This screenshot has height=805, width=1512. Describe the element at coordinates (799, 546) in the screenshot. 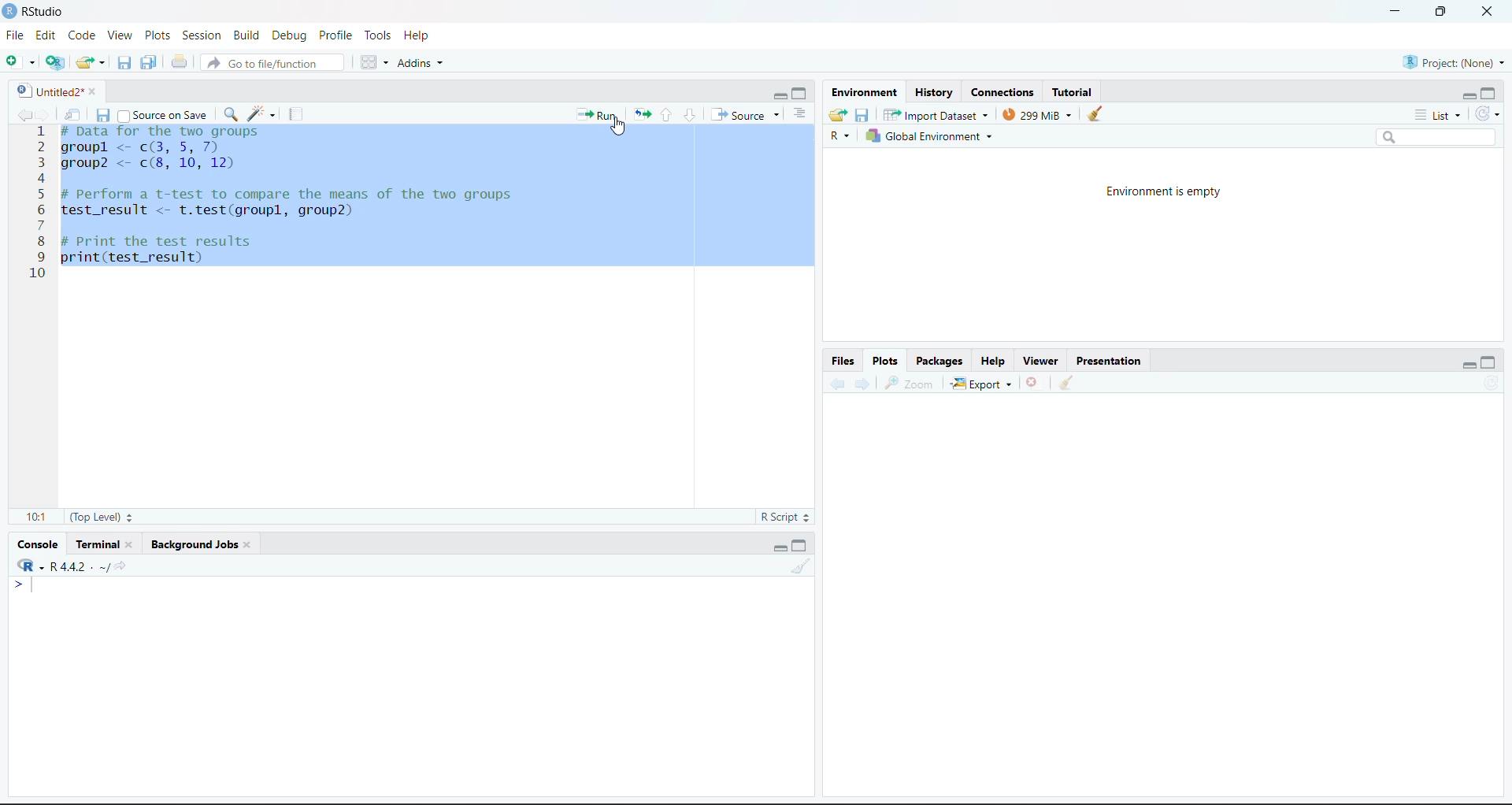

I see `maximize` at that location.